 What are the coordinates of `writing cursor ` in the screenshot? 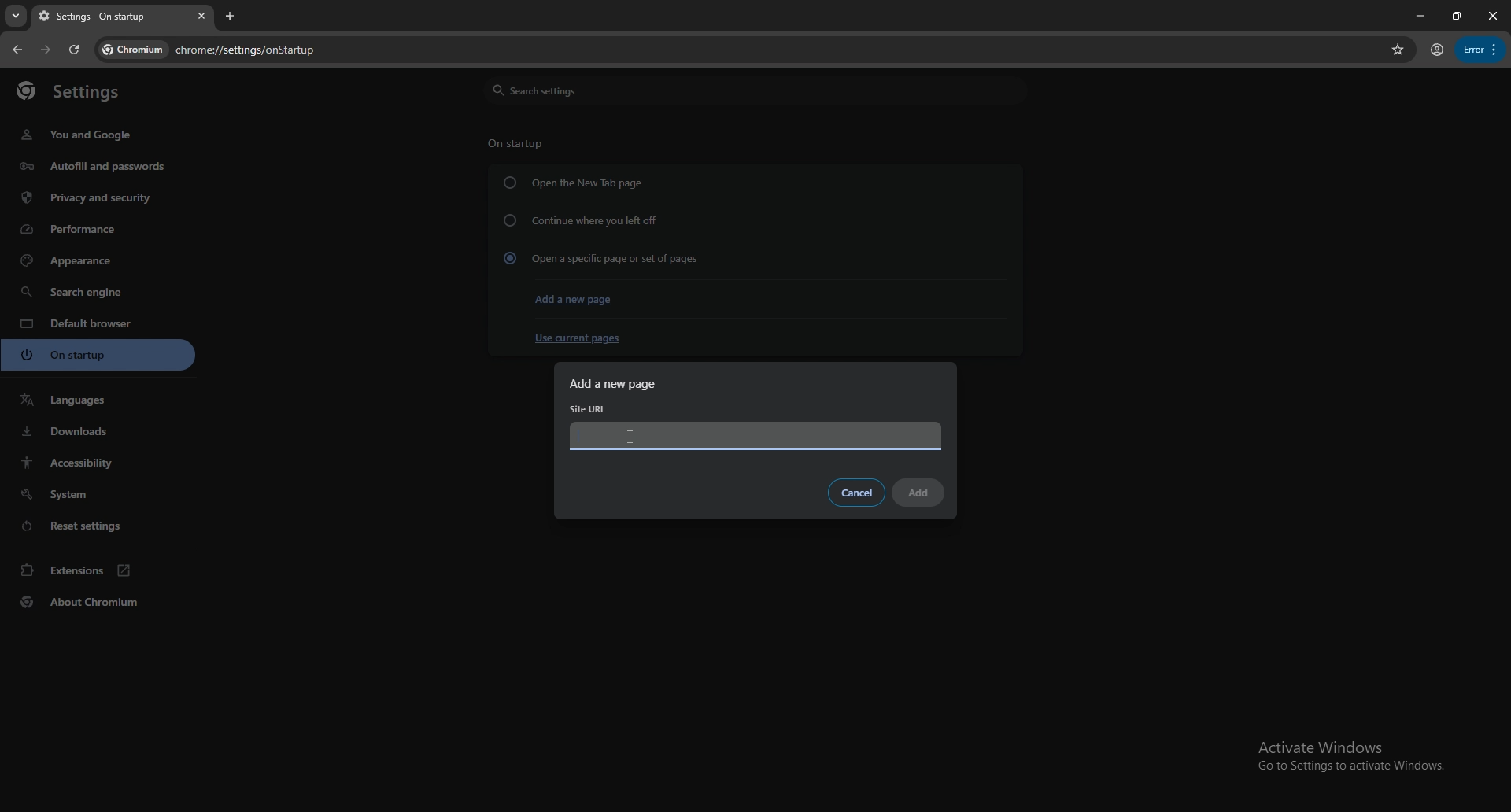 It's located at (580, 436).